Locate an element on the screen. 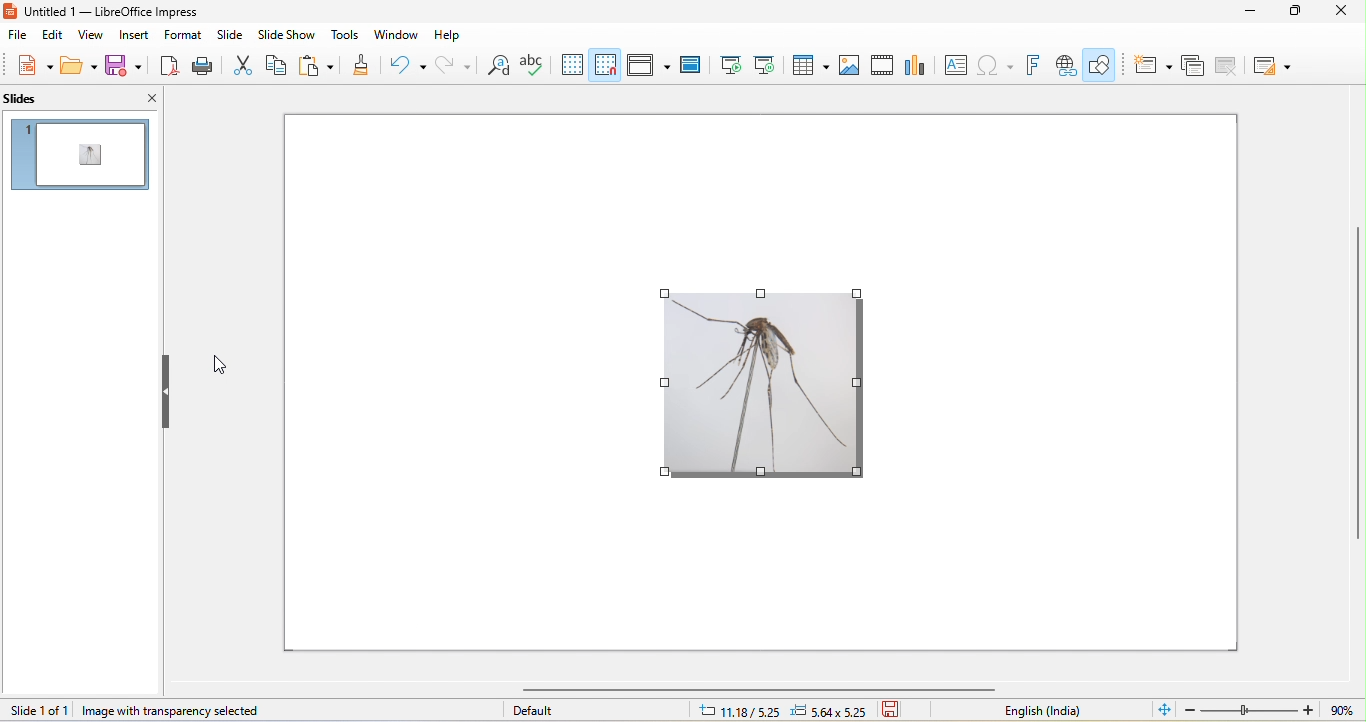 This screenshot has width=1366, height=722. redo is located at coordinates (454, 65).